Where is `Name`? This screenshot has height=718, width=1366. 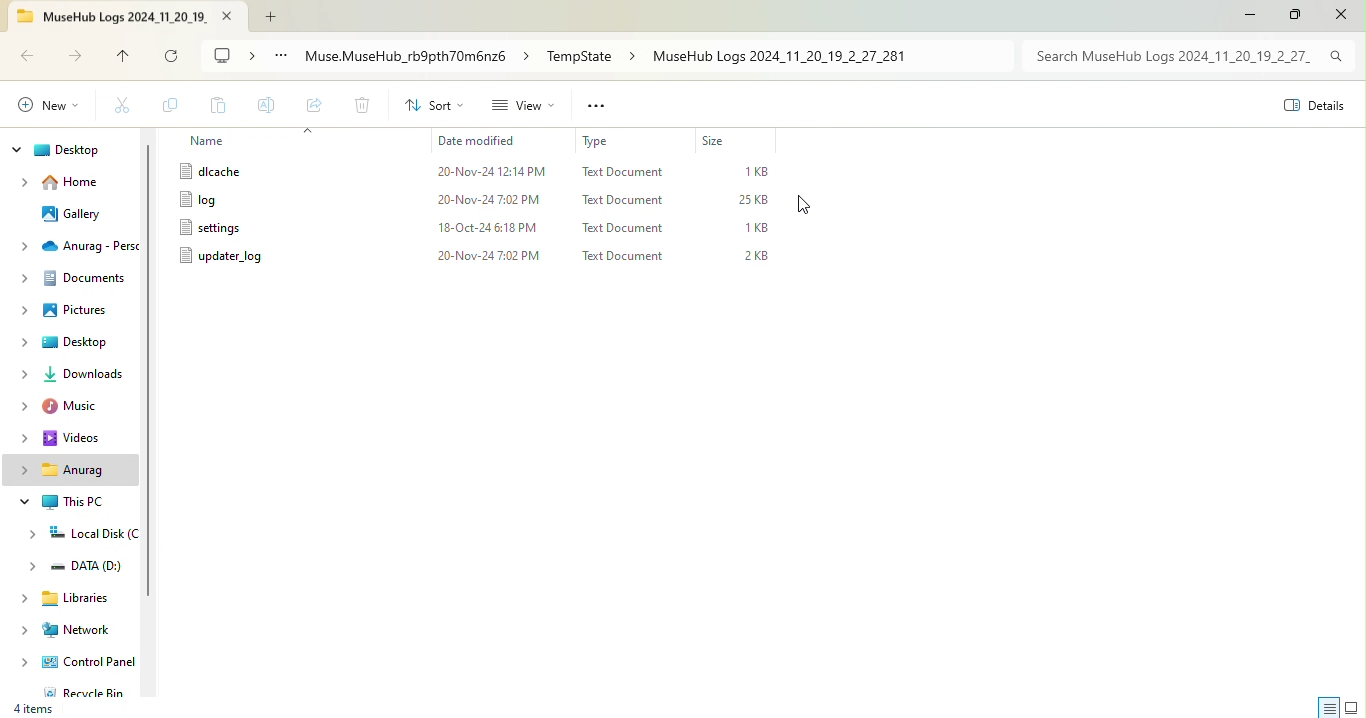
Name is located at coordinates (208, 141).